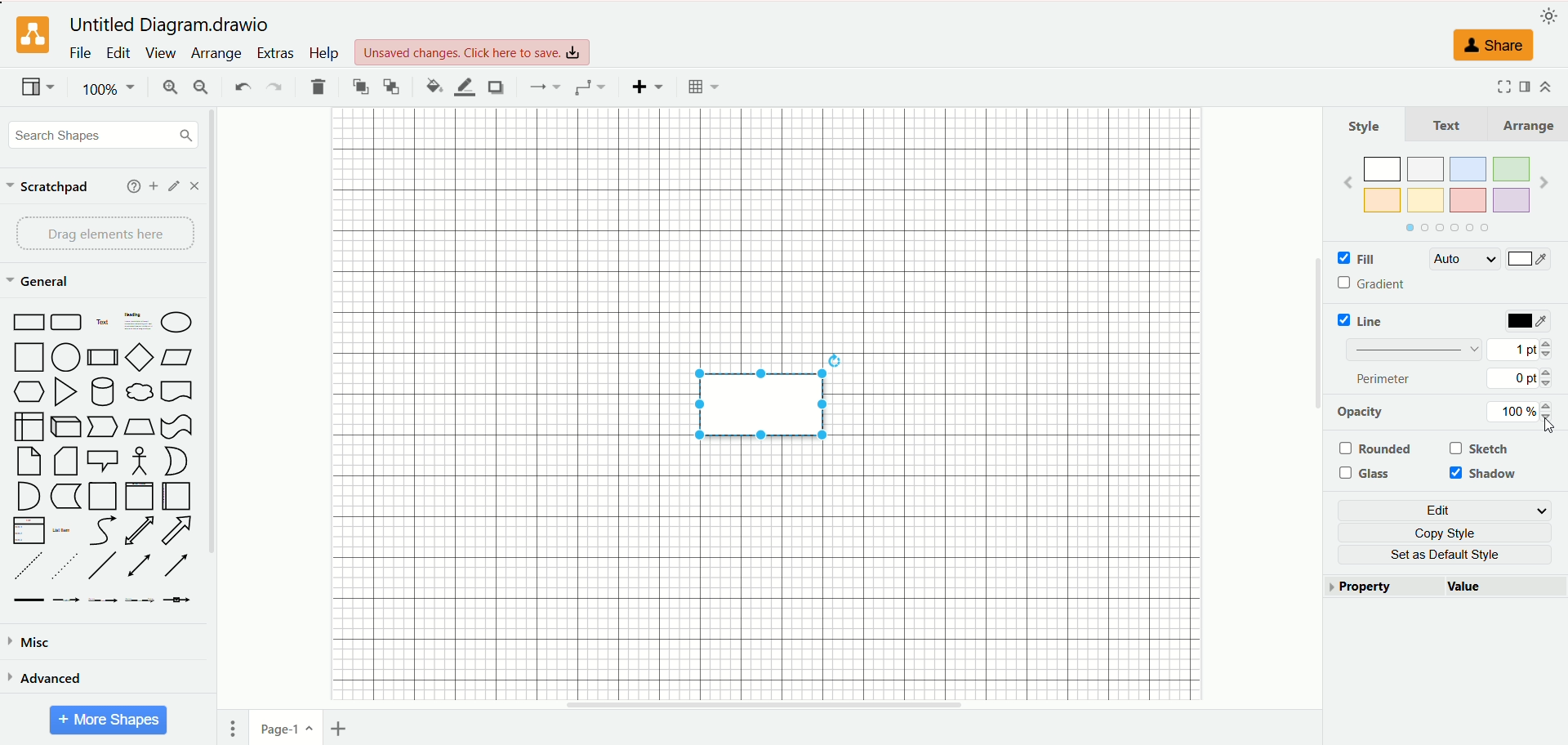 The height and width of the screenshot is (745, 1568). I want to click on previous color options, so click(1347, 182).